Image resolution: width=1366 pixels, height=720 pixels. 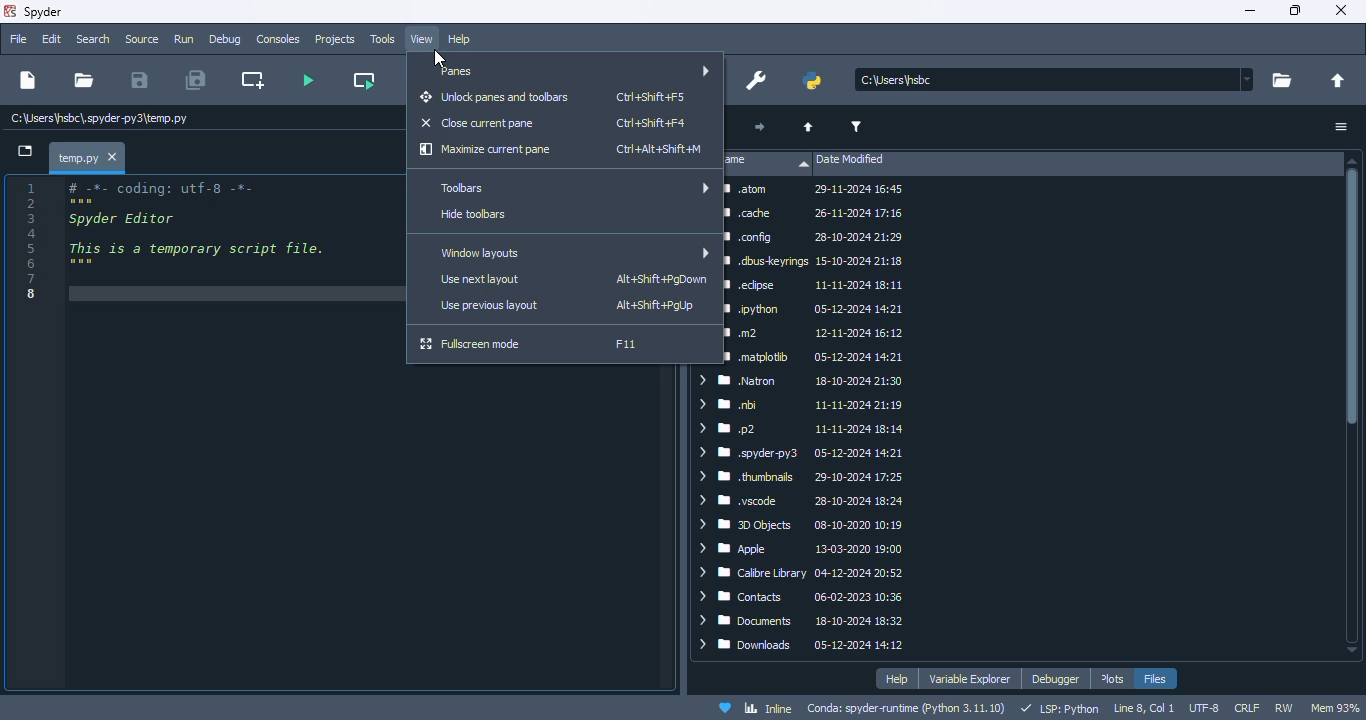 What do you see at coordinates (658, 149) in the screenshot?
I see `shortcut for maximize current pane` at bounding box center [658, 149].